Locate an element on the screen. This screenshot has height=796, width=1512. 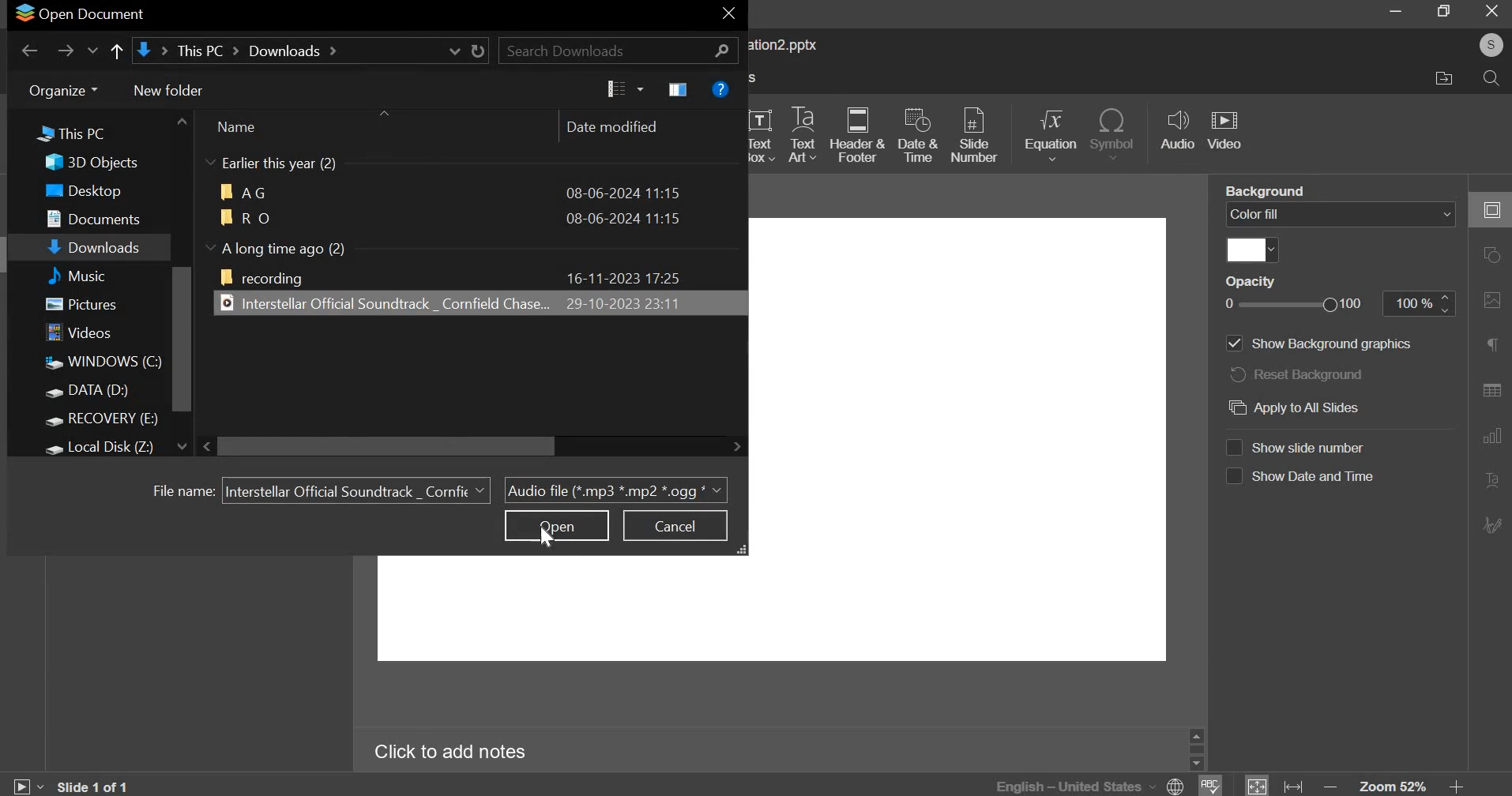
date modified is located at coordinates (619, 127).